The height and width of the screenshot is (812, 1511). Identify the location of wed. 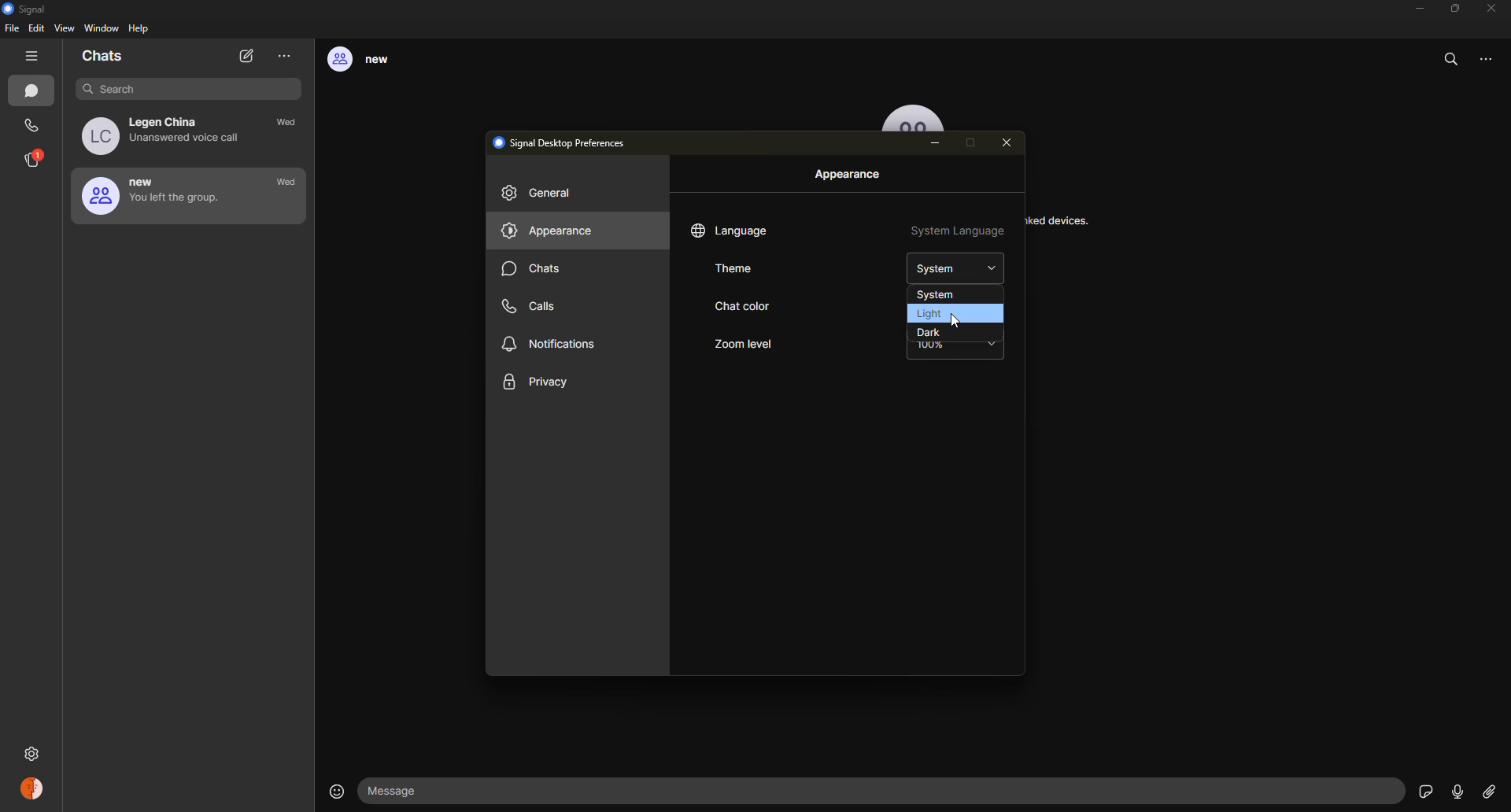
(286, 183).